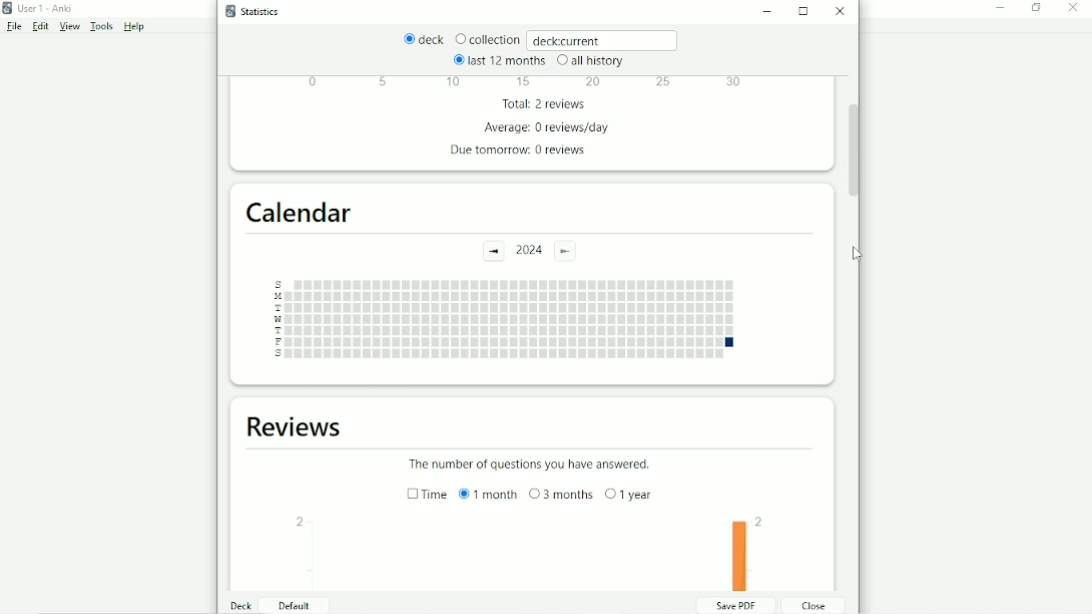  What do you see at coordinates (498, 60) in the screenshot?
I see `last 12 months` at bounding box center [498, 60].